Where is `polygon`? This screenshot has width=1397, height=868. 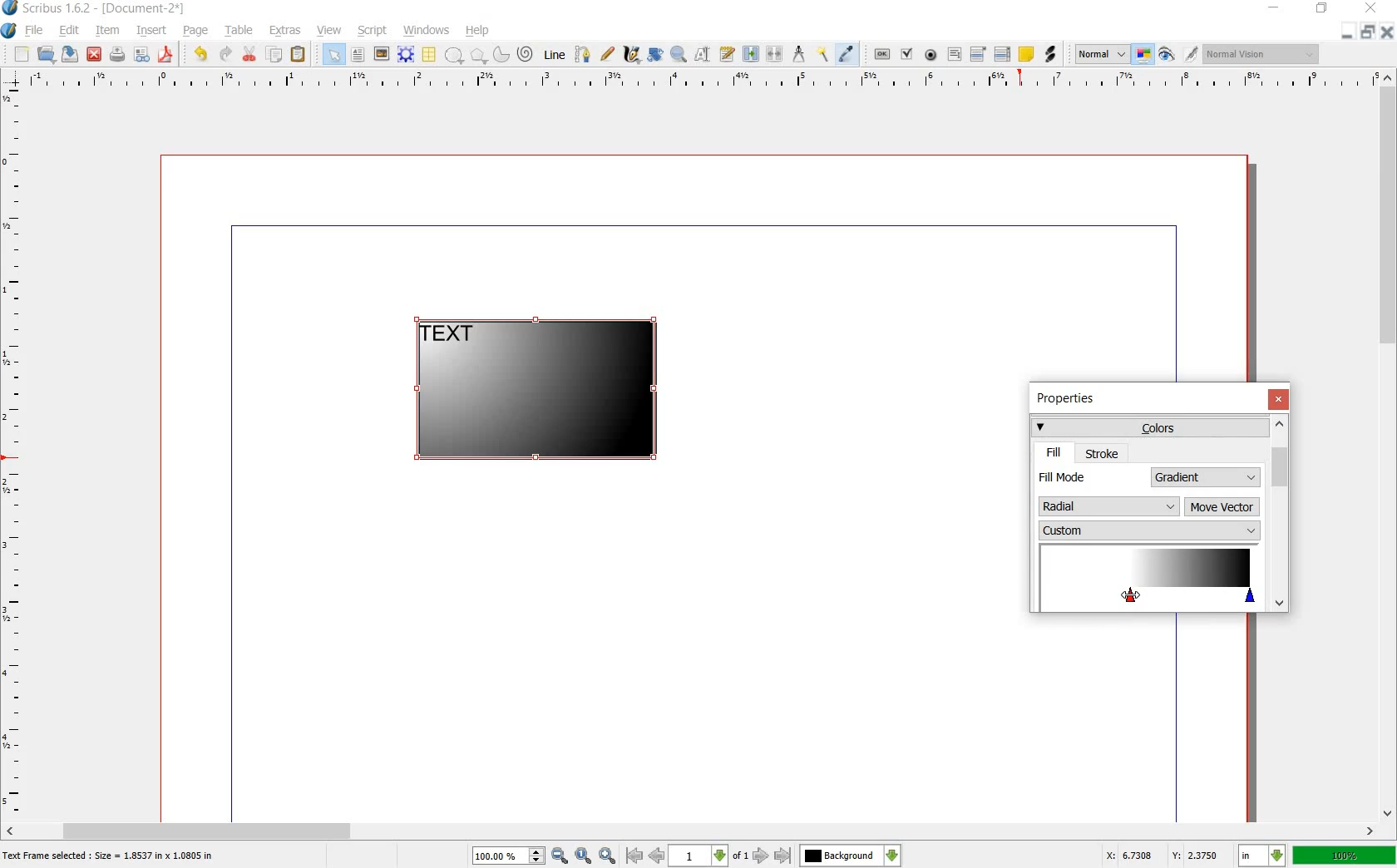 polygon is located at coordinates (476, 55).